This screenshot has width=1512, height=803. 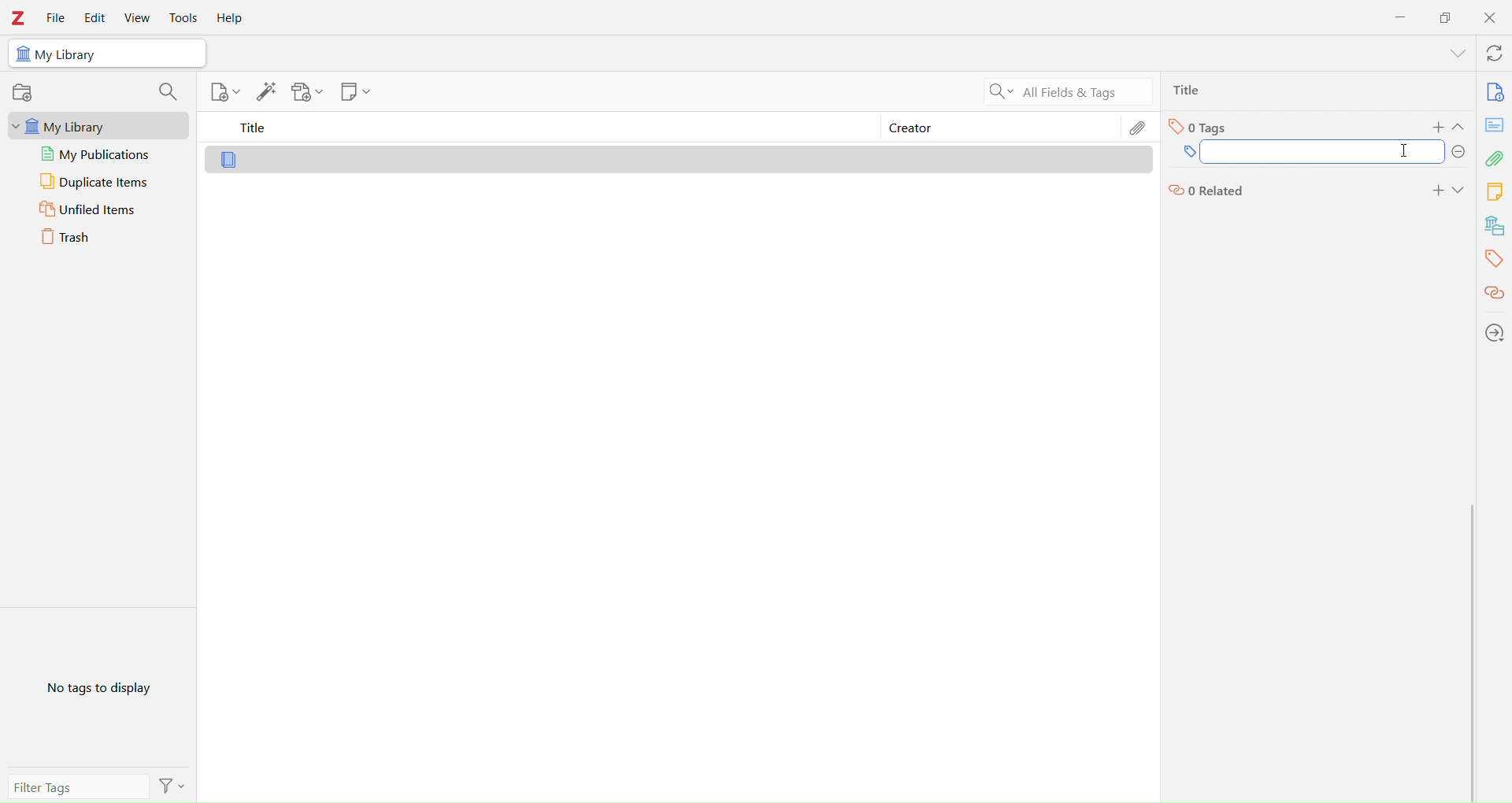 I want to click on No Tags to Display, so click(x=106, y=689).